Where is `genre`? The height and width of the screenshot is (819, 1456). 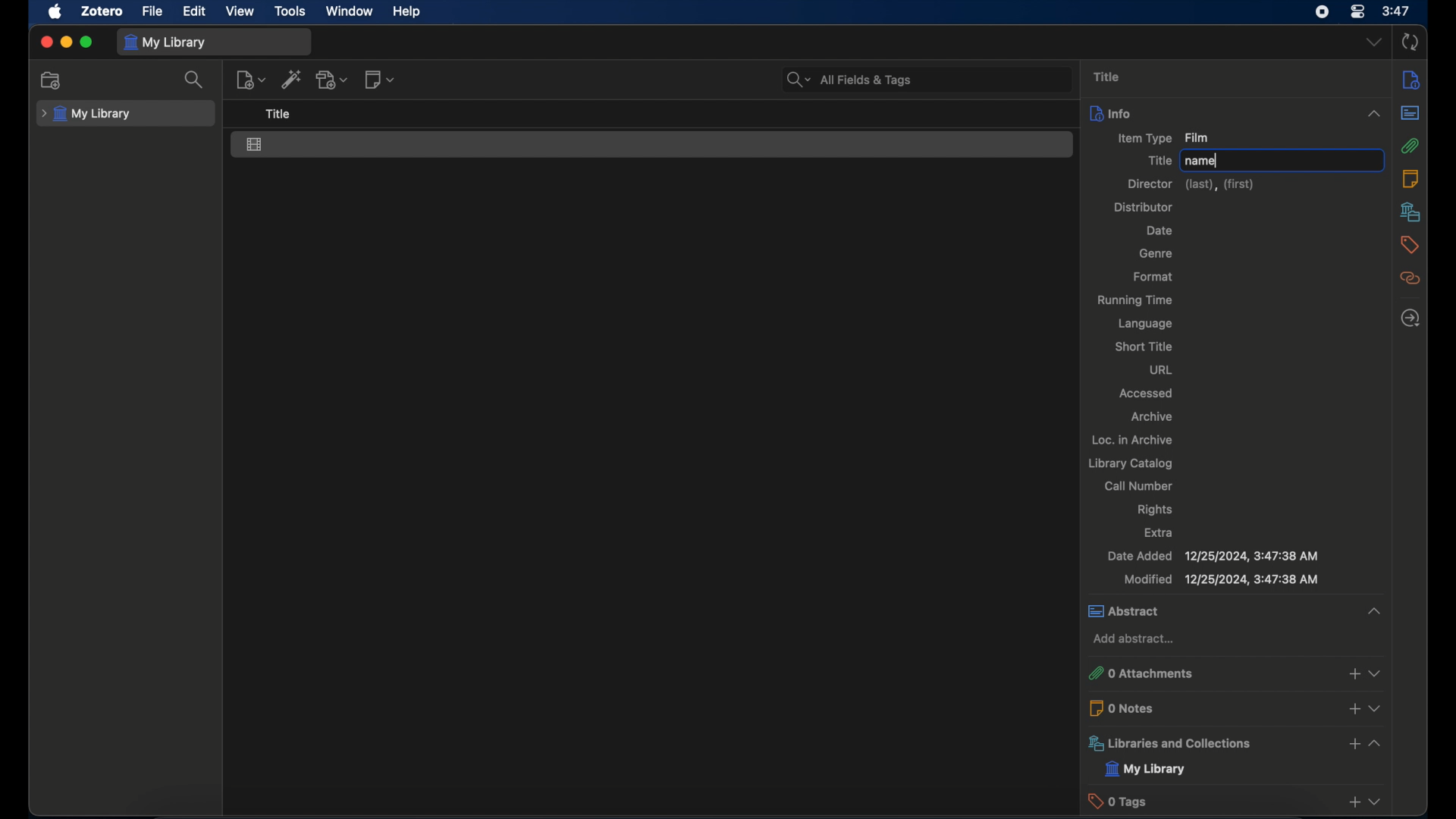 genre is located at coordinates (1156, 253).